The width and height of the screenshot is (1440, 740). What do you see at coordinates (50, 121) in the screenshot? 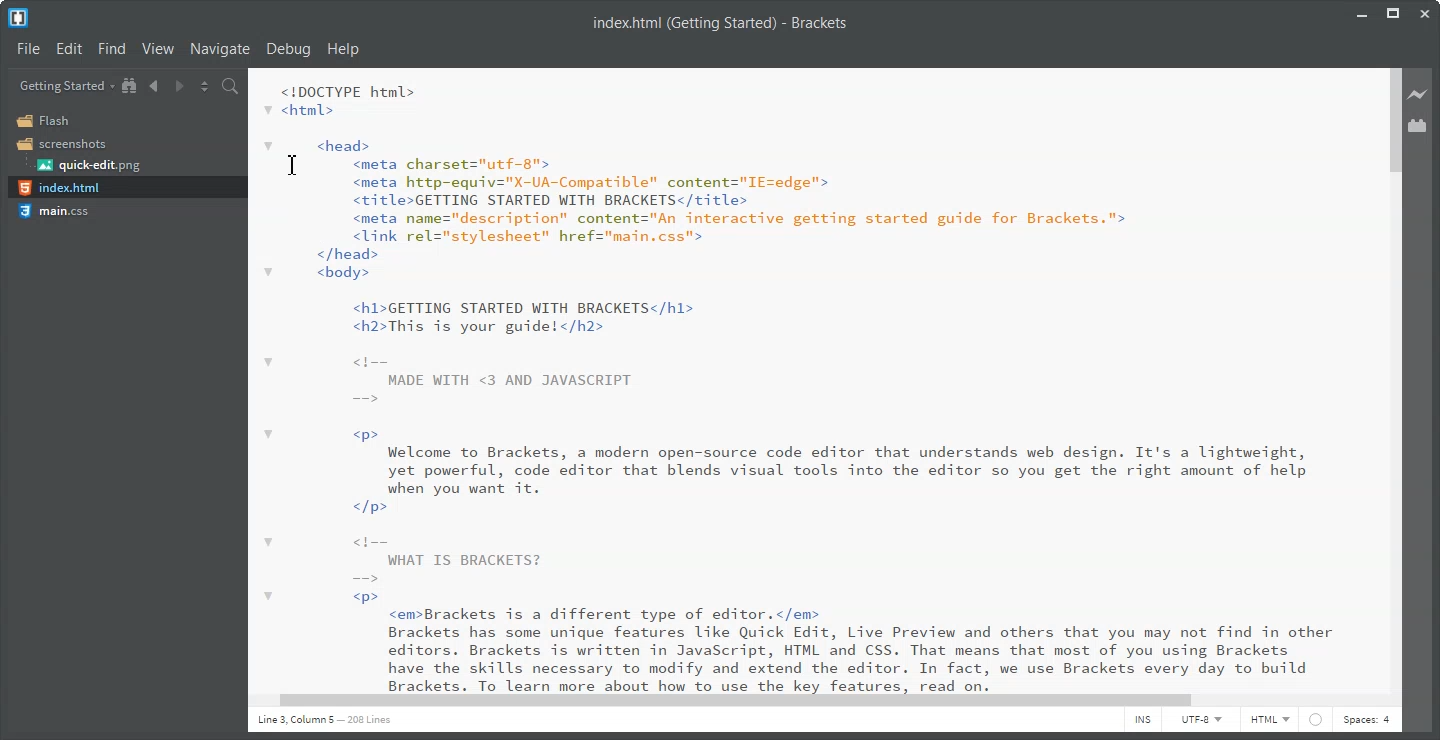
I see `Flash` at bounding box center [50, 121].